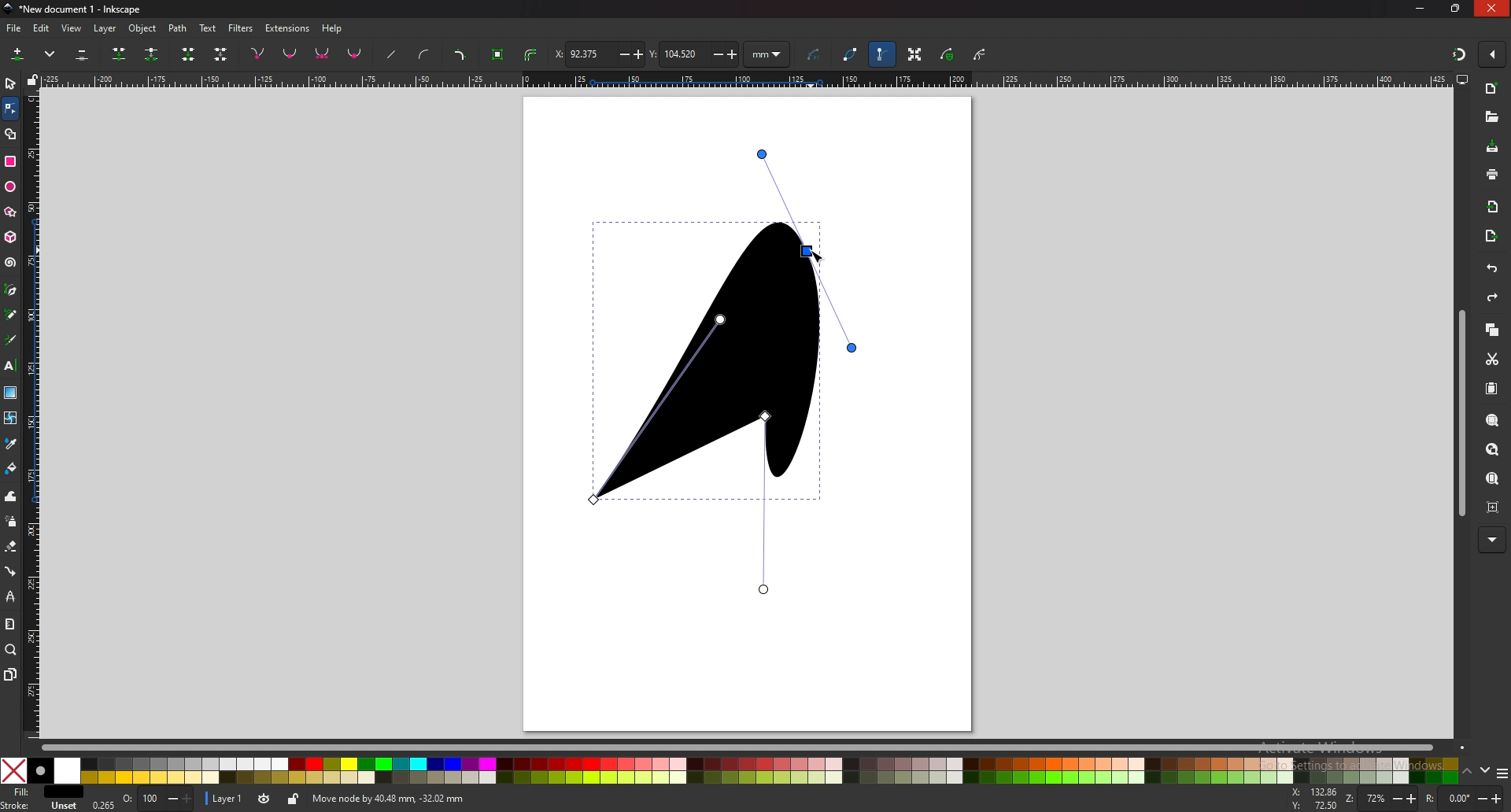  I want to click on zoom page, so click(1491, 479).